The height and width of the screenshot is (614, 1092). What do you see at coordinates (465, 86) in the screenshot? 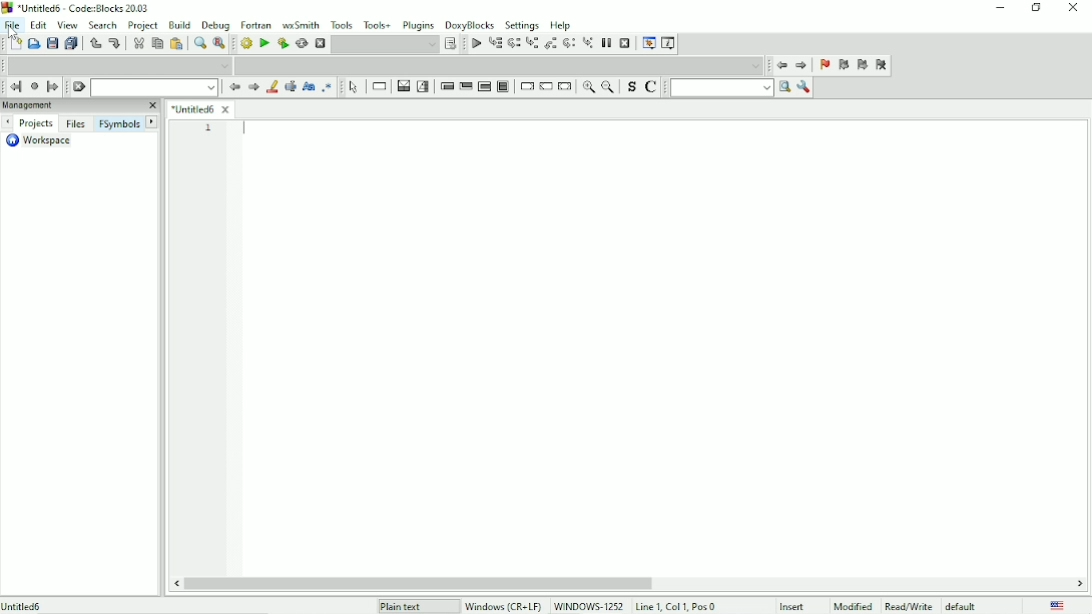
I see `Exit-condition loop` at bounding box center [465, 86].